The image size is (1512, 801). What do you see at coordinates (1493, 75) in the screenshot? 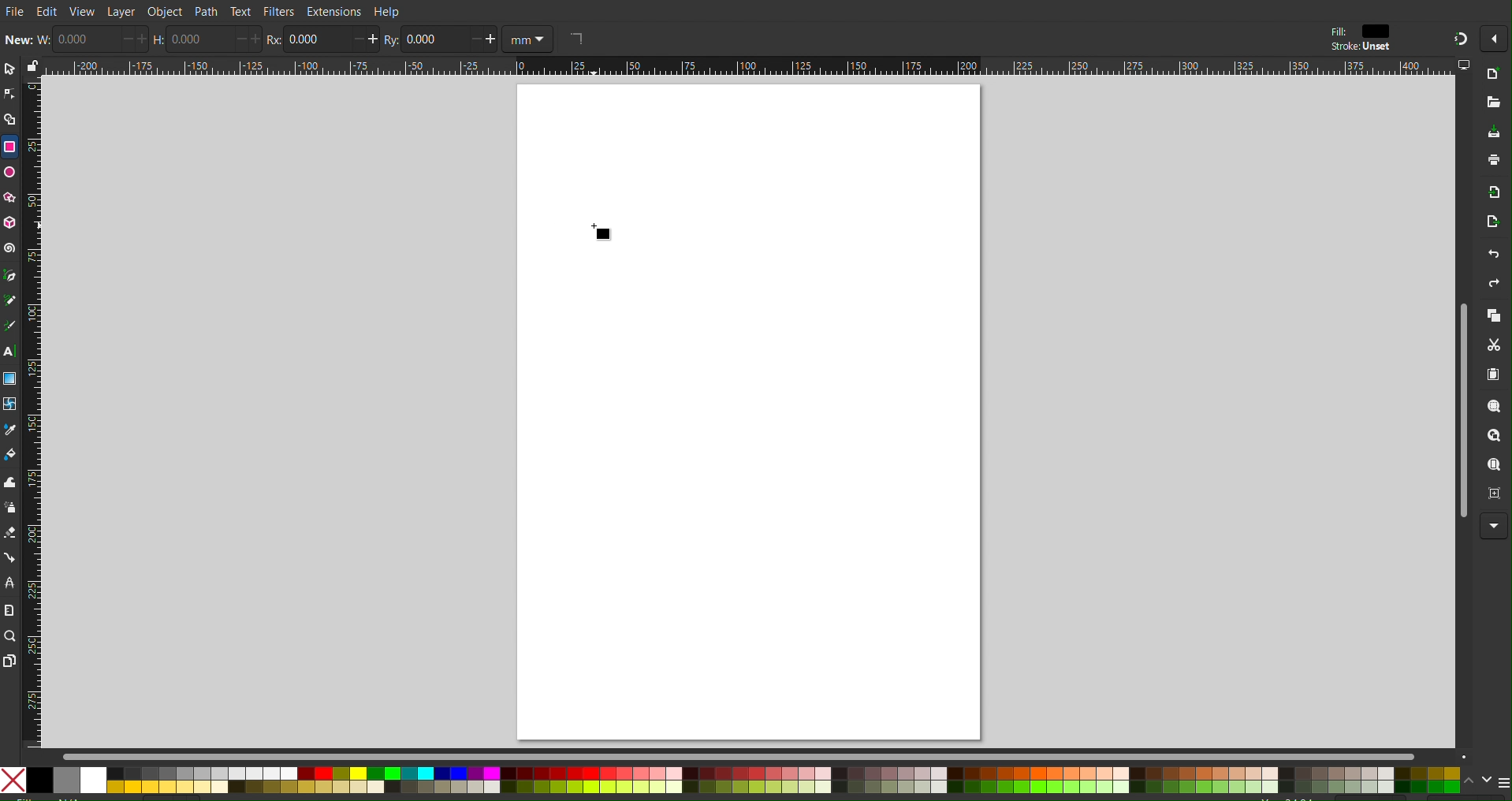
I see `New` at bounding box center [1493, 75].